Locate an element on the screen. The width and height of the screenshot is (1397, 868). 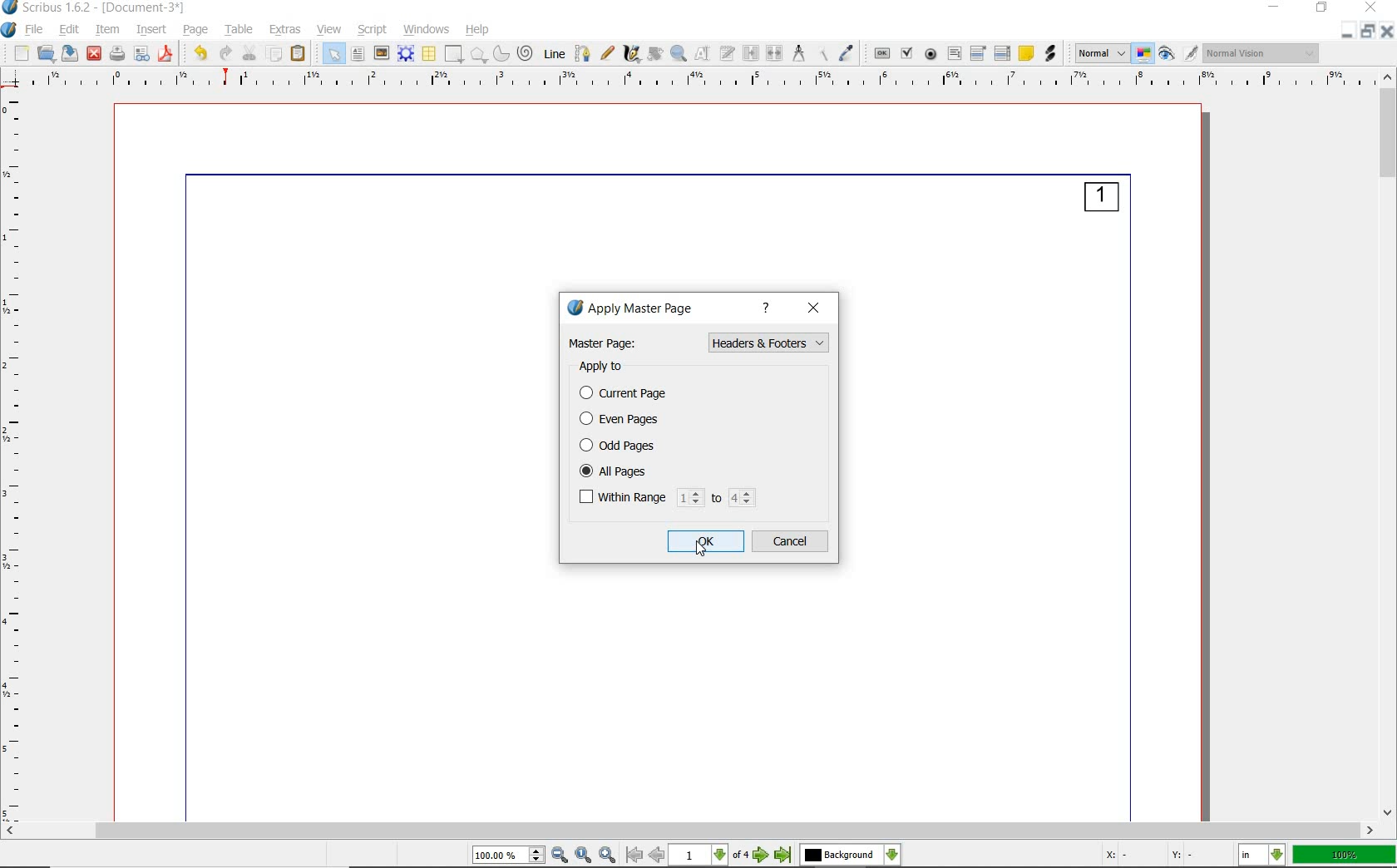
go to first page is located at coordinates (634, 856).